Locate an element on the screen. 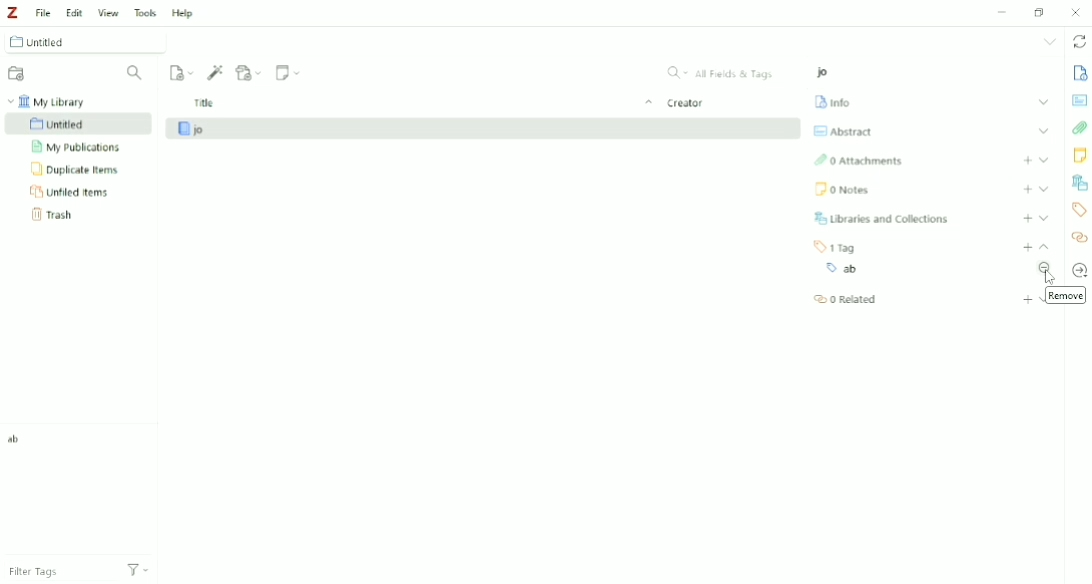  Libraries and Collections is located at coordinates (880, 217).